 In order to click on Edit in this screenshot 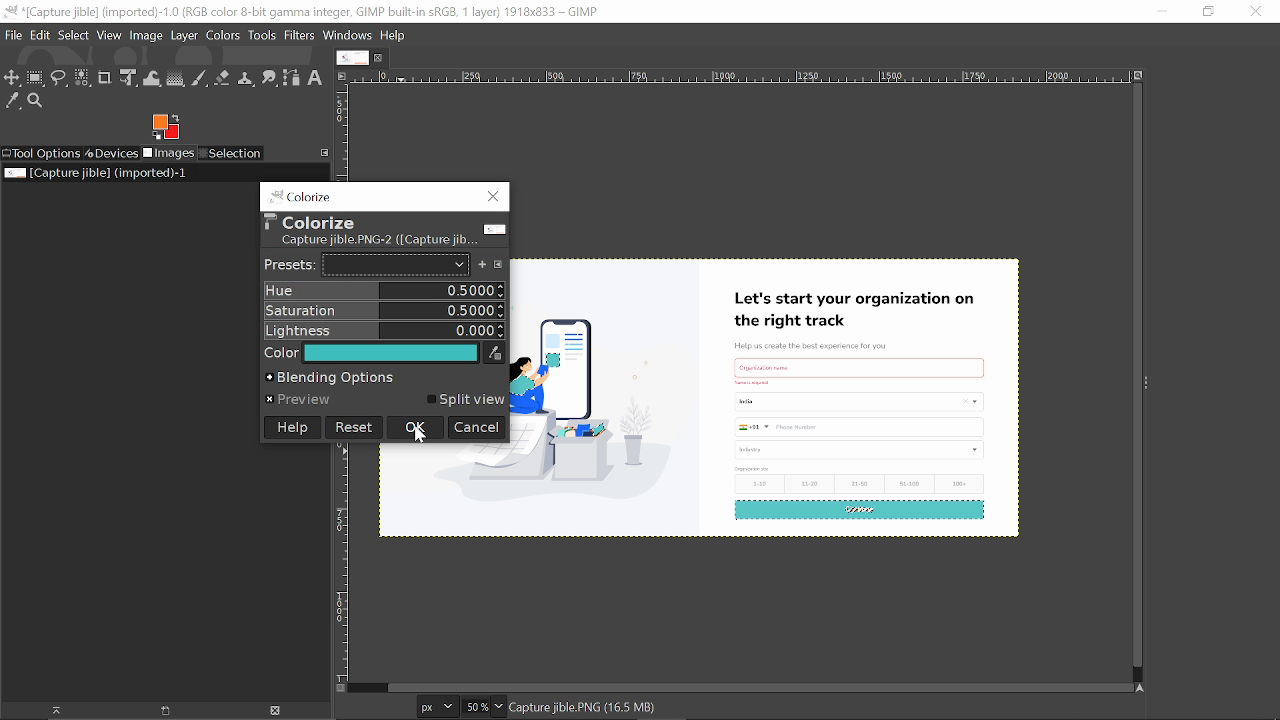, I will do `click(41, 34)`.